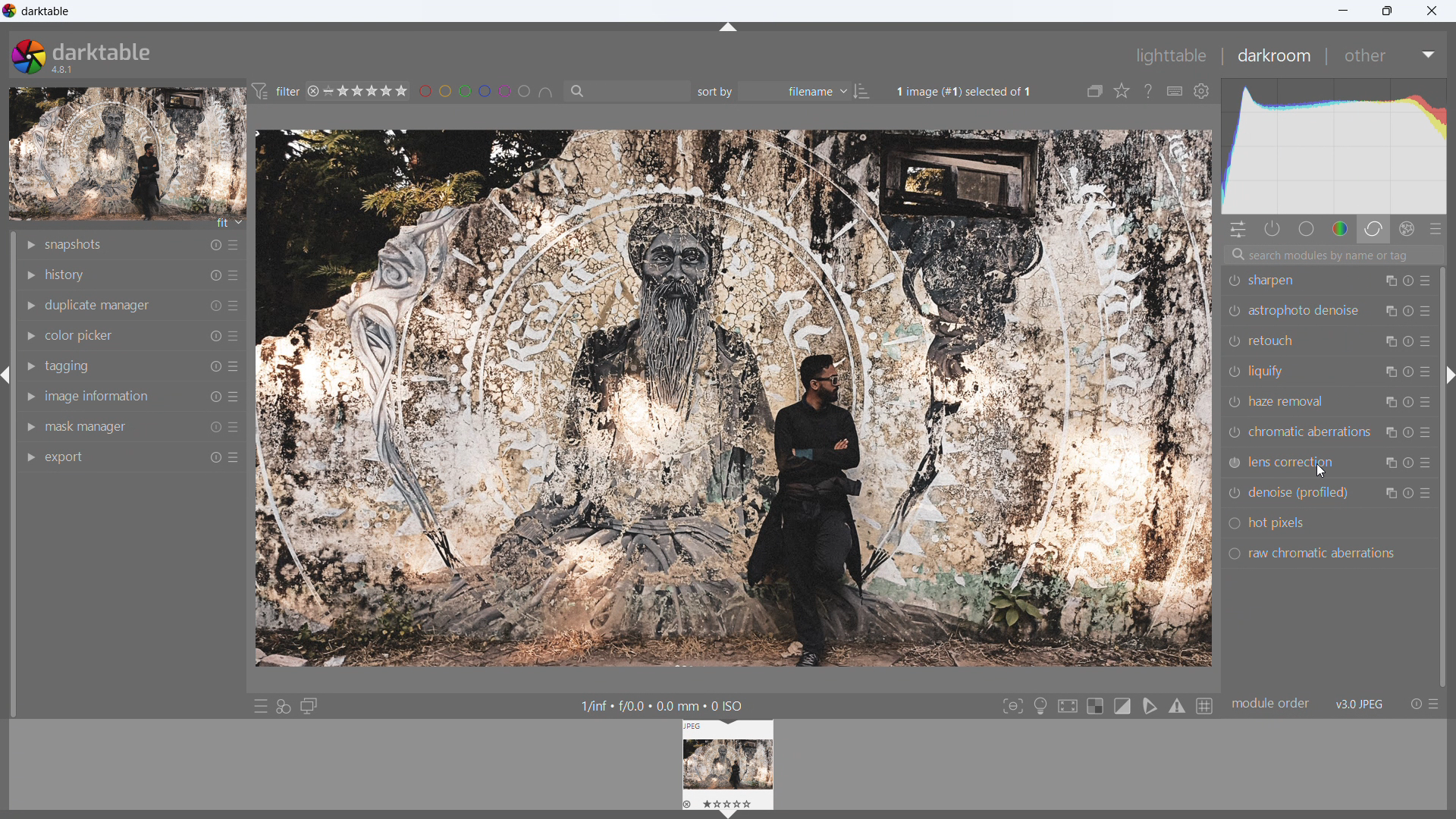  I want to click on denoise (profiled), so click(1300, 492).